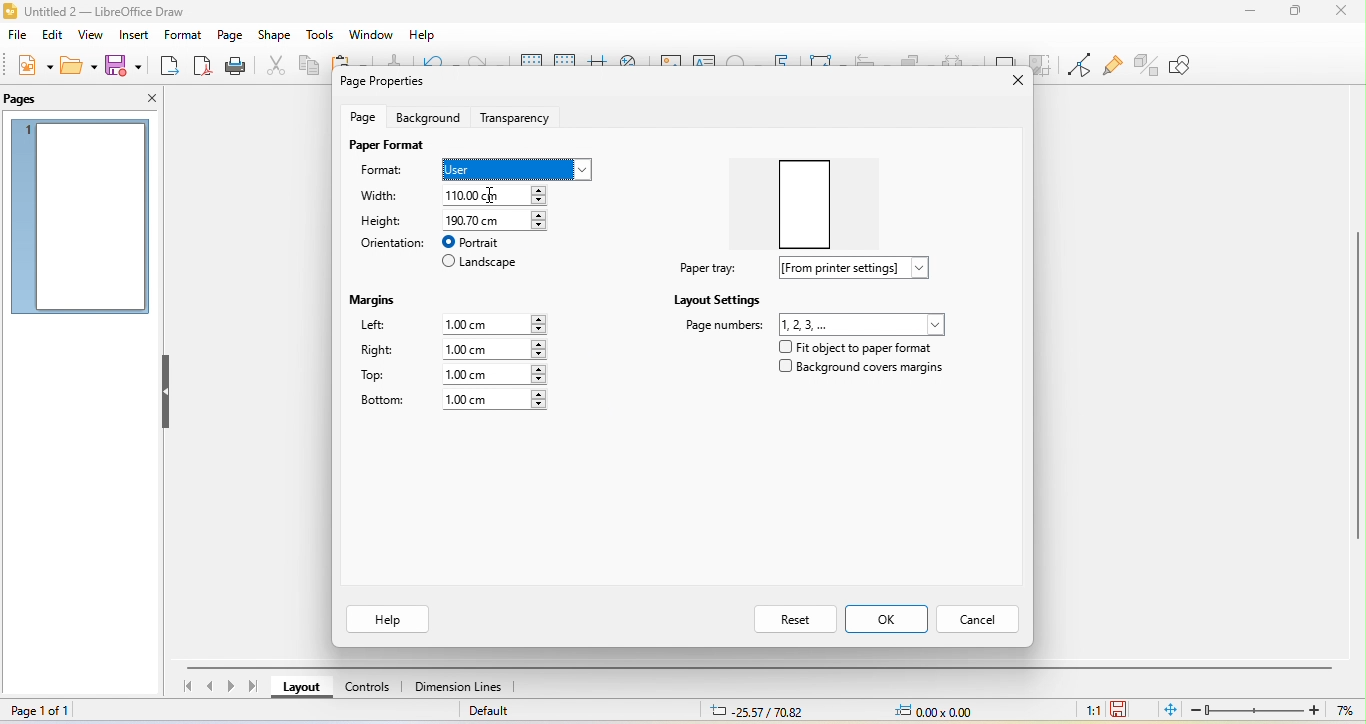 The width and height of the screenshot is (1366, 724). Describe the element at coordinates (234, 687) in the screenshot. I see `next page` at that location.